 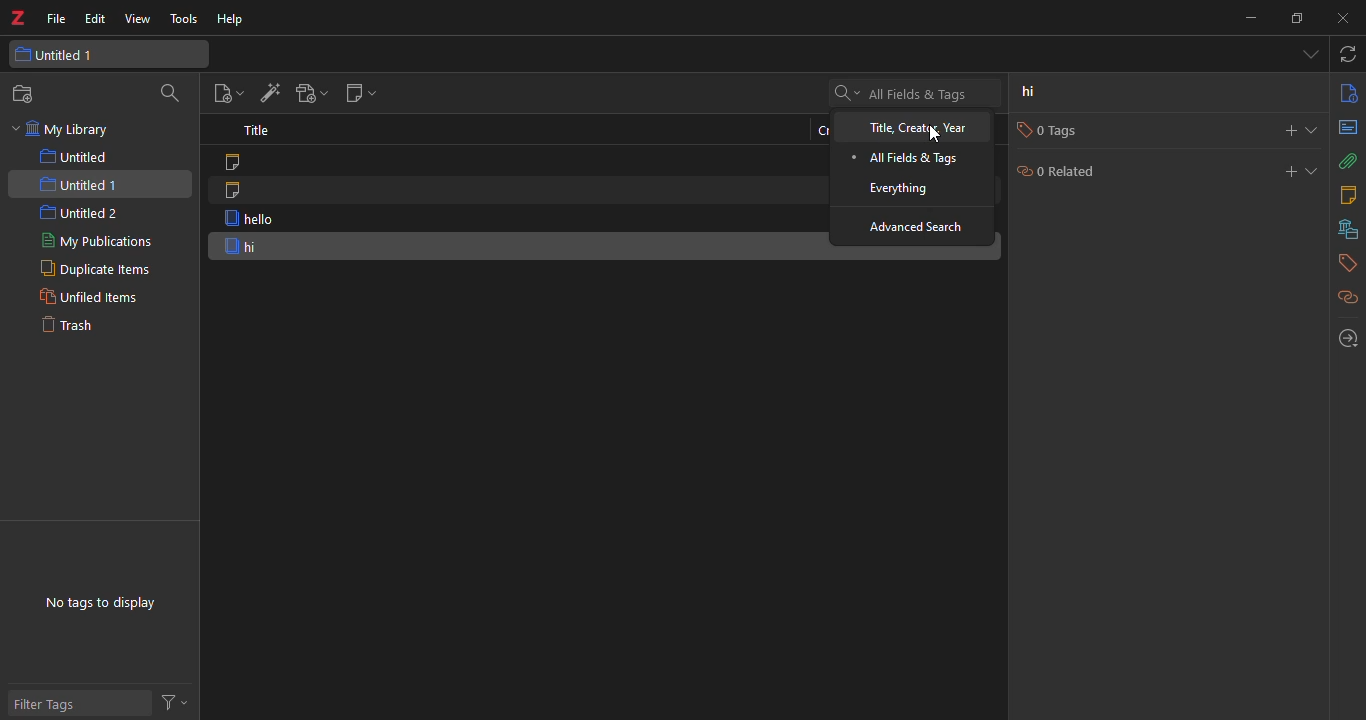 What do you see at coordinates (52, 706) in the screenshot?
I see `filter tags` at bounding box center [52, 706].